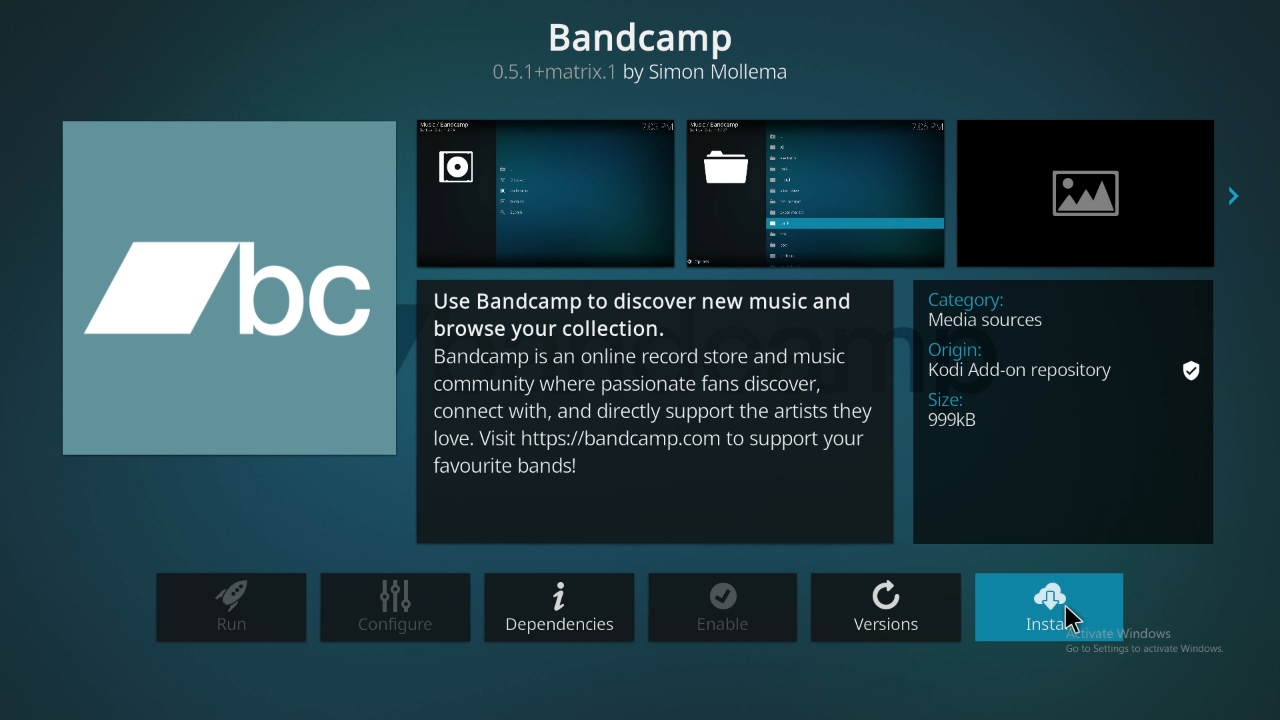 The width and height of the screenshot is (1280, 720). Describe the element at coordinates (557, 605) in the screenshot. I see `dependencies` at that location.